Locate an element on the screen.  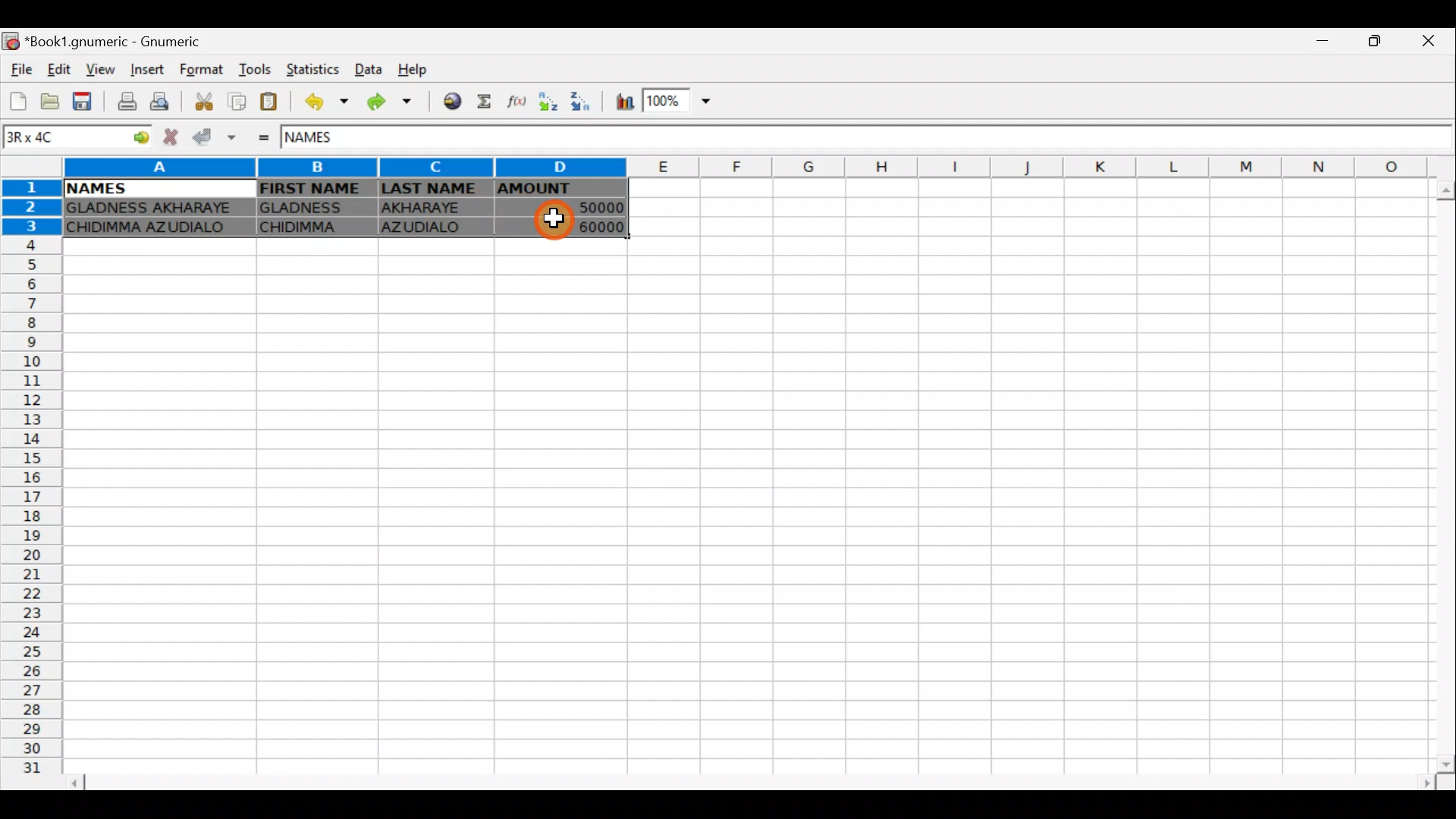
Gnumeric logo is located at coordinates (12, 42).